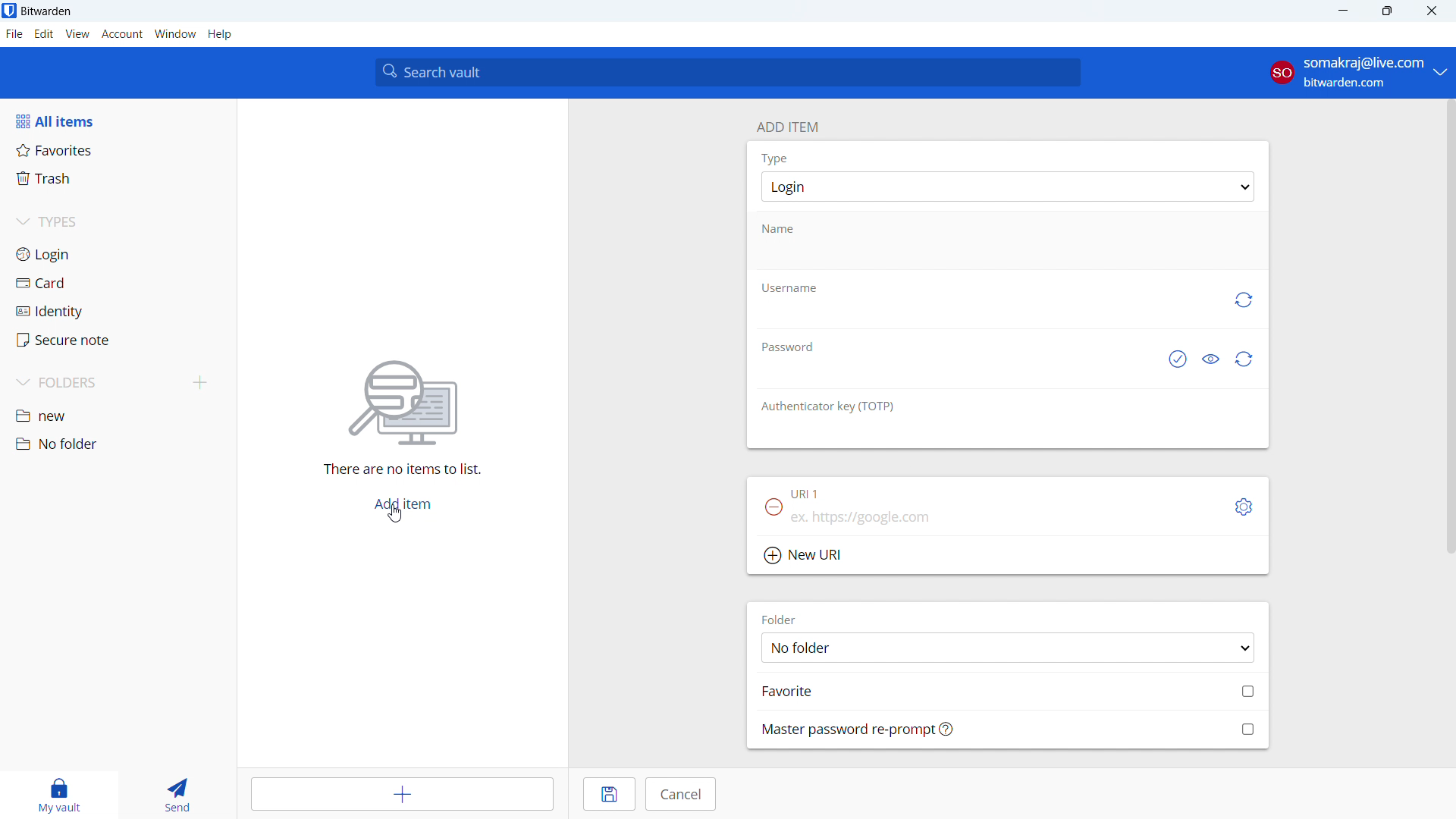  Describe the element at coordinates (1446, 327) in the screenshot. I see `scrollbar` at that location.